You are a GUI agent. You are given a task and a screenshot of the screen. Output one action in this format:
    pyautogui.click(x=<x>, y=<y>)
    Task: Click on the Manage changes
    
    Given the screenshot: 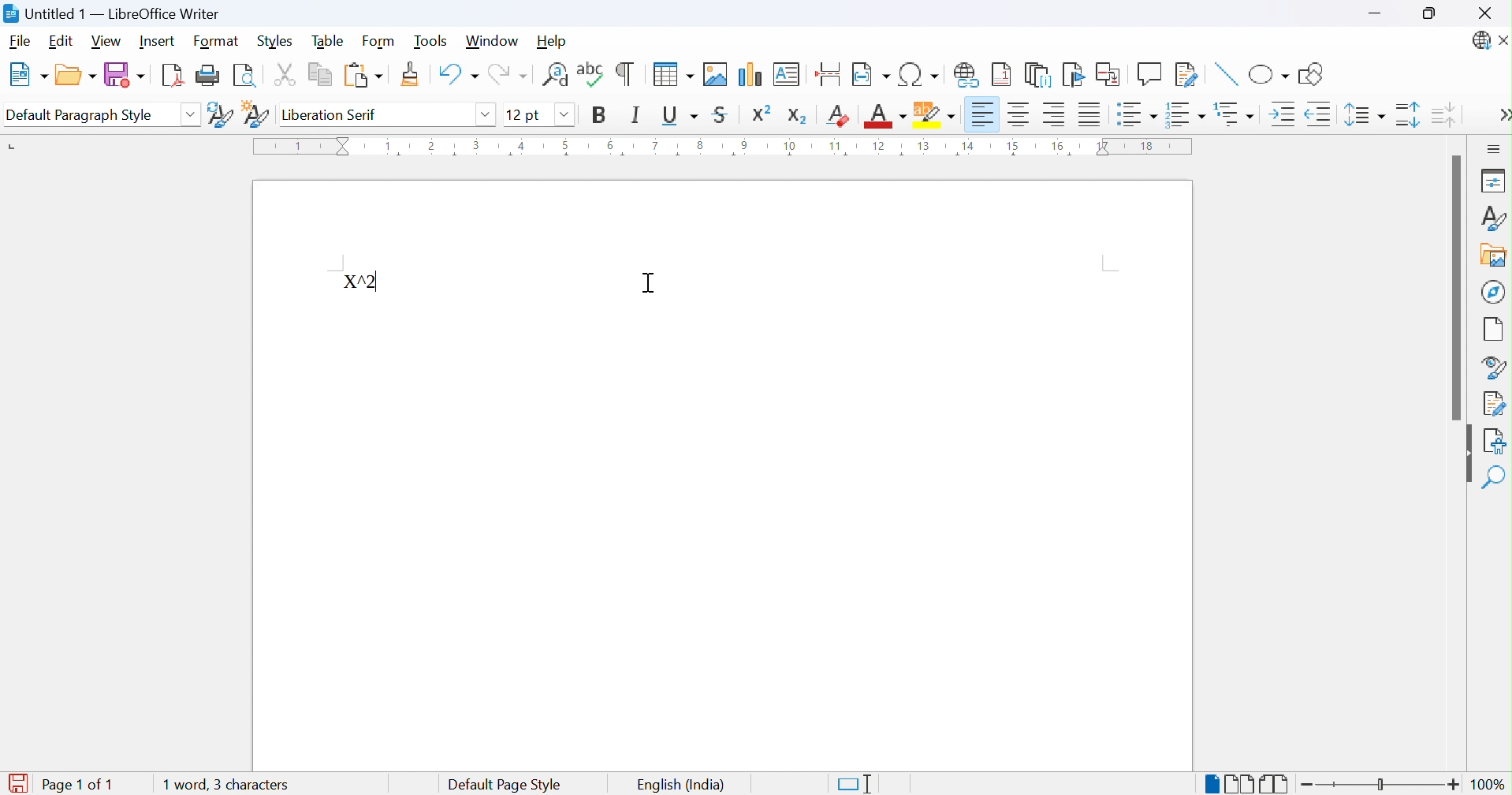 What is the action you would take?
    pyautogui.click(x=1494, y=405)
    